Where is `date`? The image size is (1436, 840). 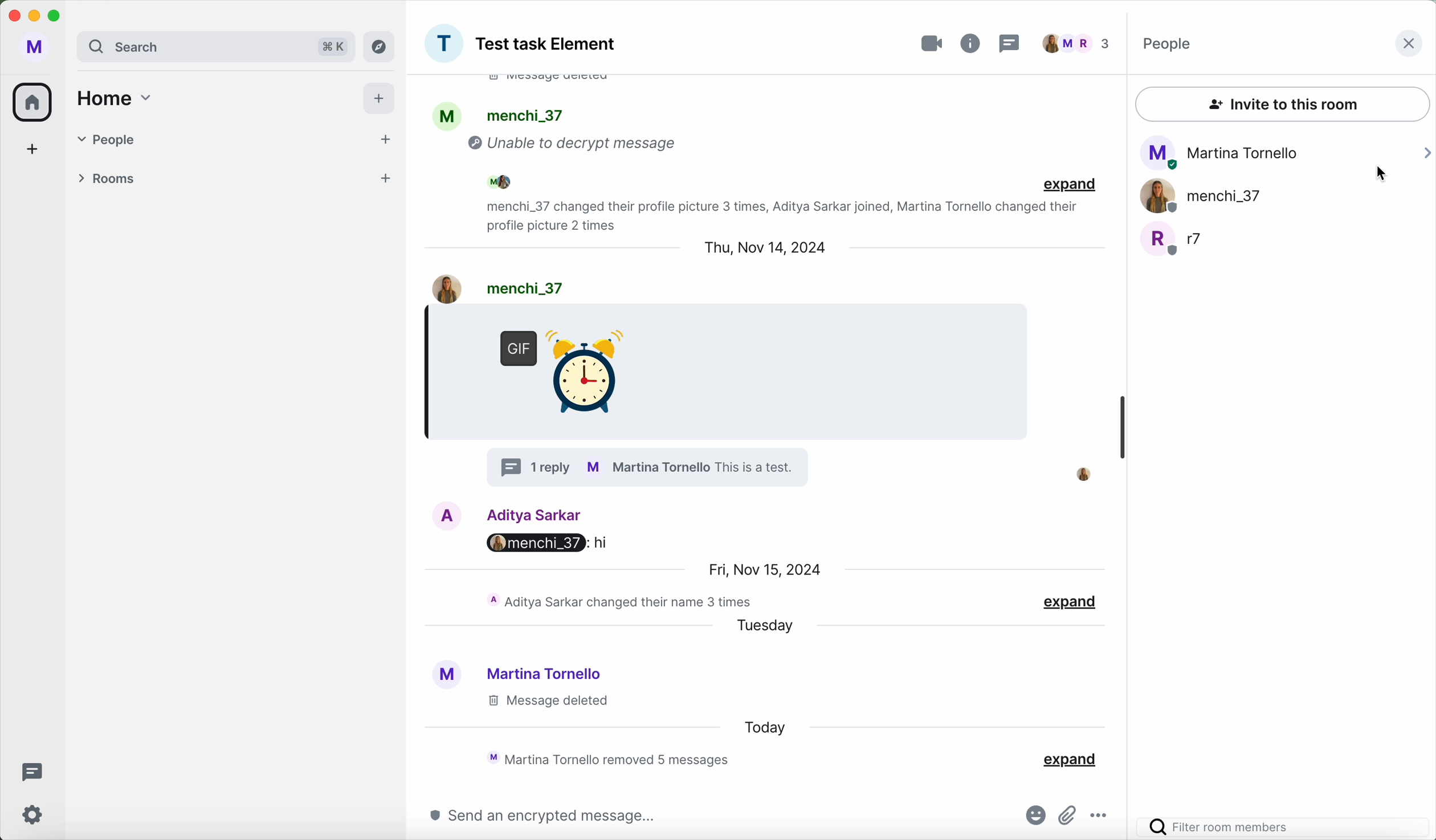 date is located at coordinates (763, 569).